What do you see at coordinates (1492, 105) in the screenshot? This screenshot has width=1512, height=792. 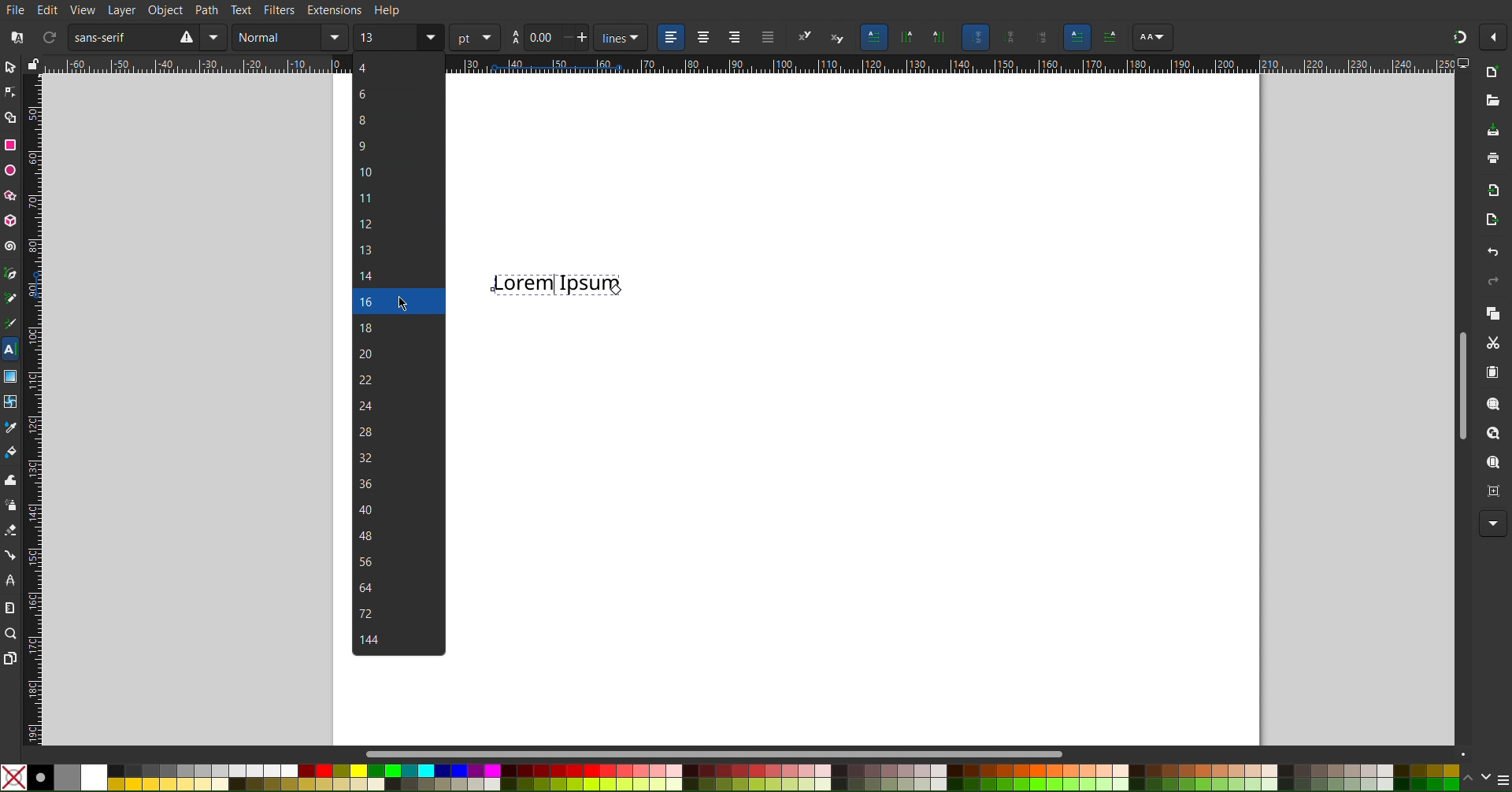 I see `Open` at bounding box center [1492, 105].